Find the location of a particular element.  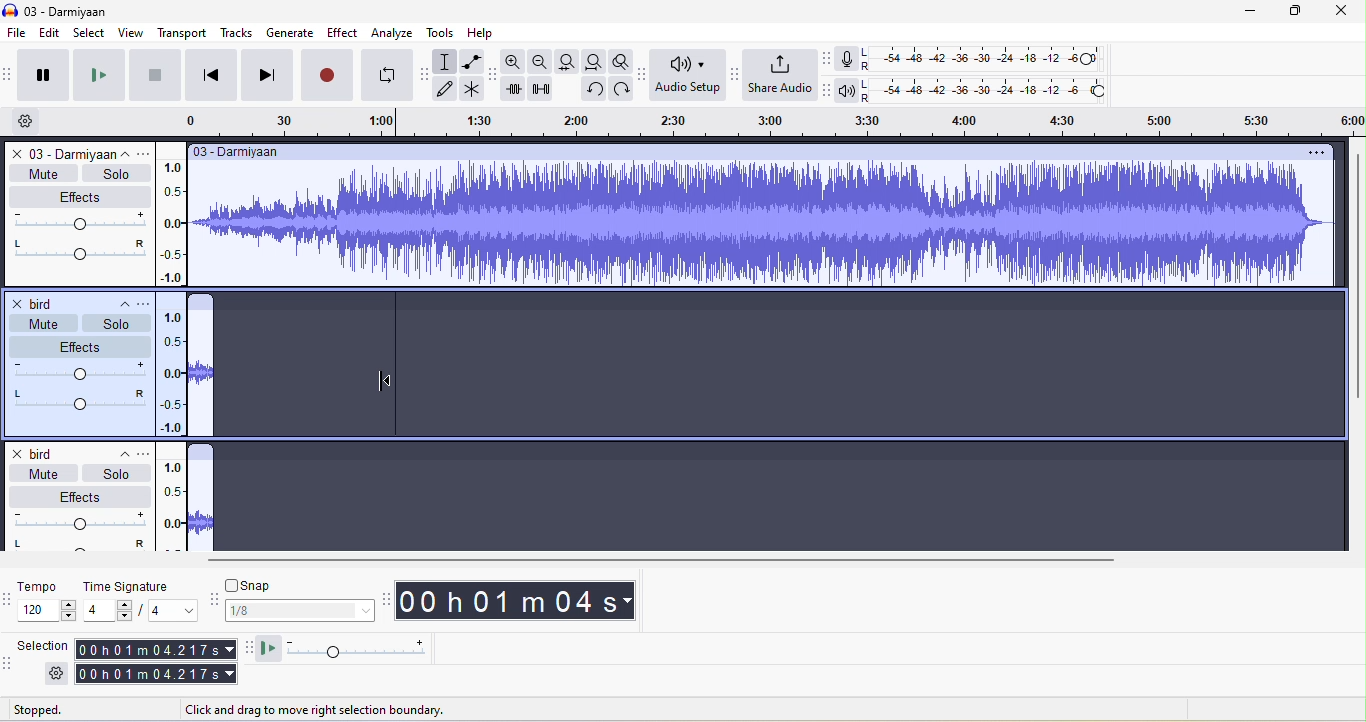

effect is located at coordinates (78, 198).